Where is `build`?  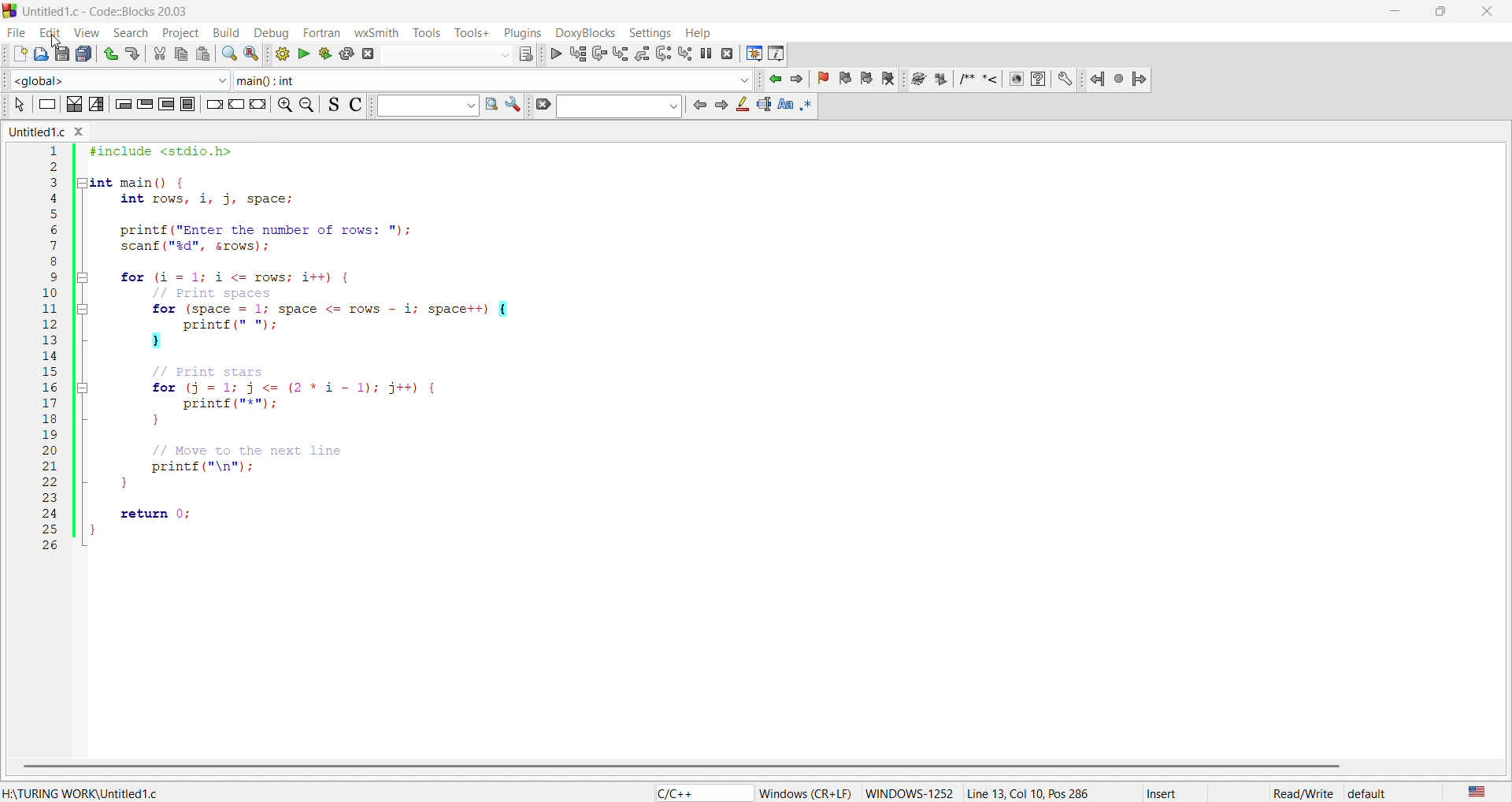
build is located at coordinates (227, 33).